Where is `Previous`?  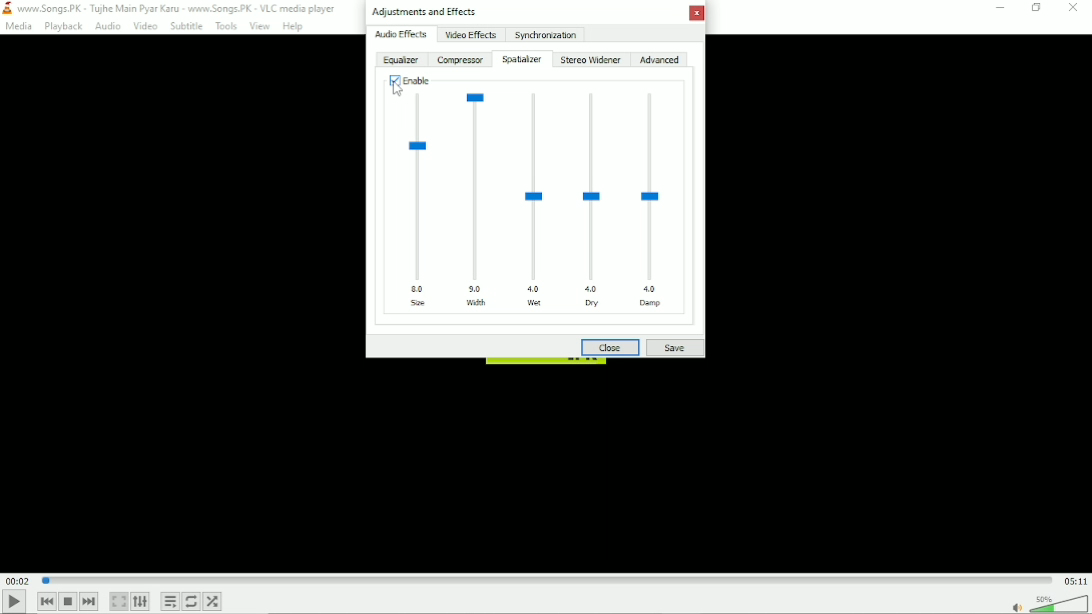 Previous is located at coordinates (45, 602).